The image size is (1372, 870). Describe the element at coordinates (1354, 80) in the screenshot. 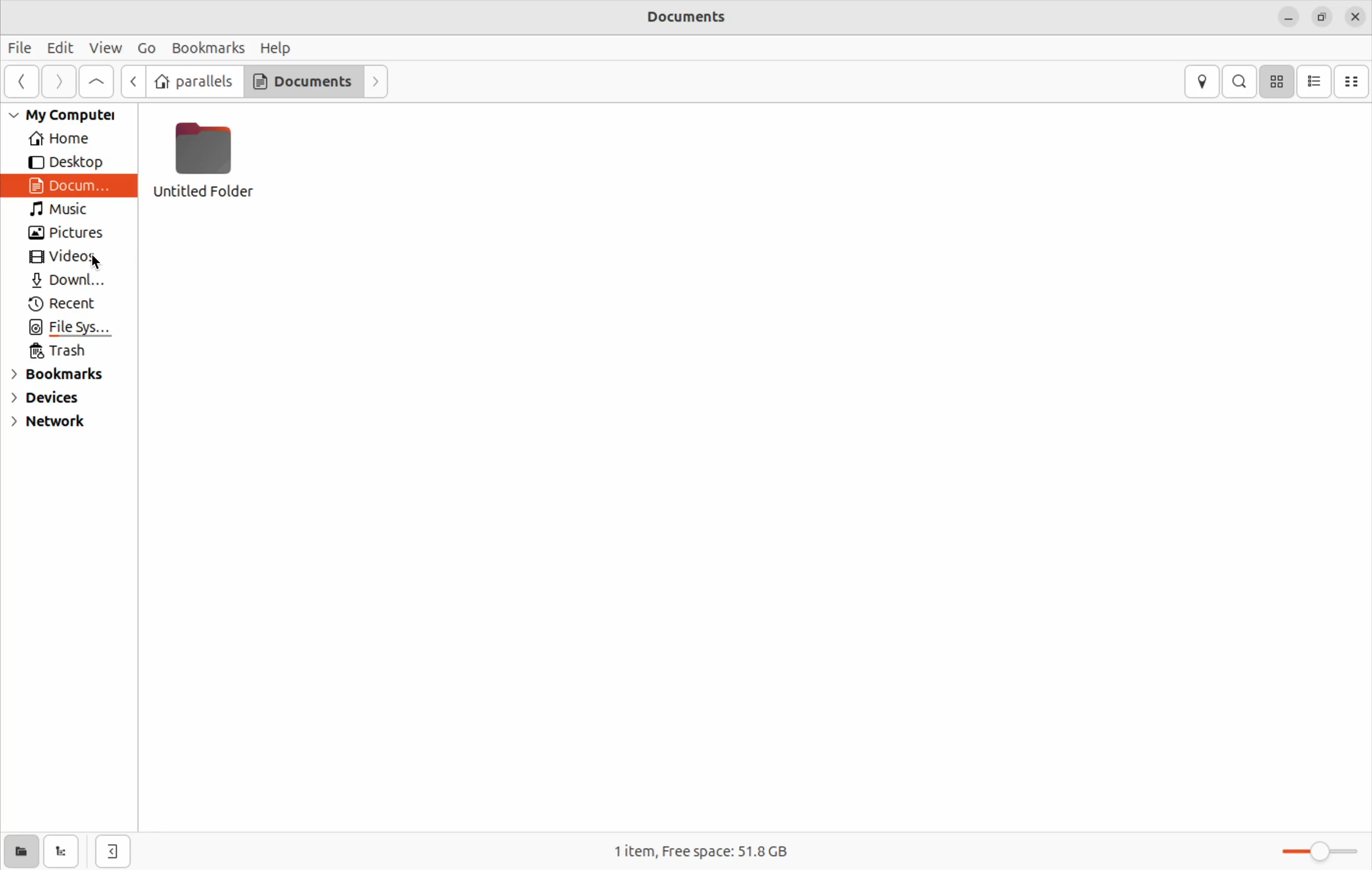

I see `compact view` at that location.